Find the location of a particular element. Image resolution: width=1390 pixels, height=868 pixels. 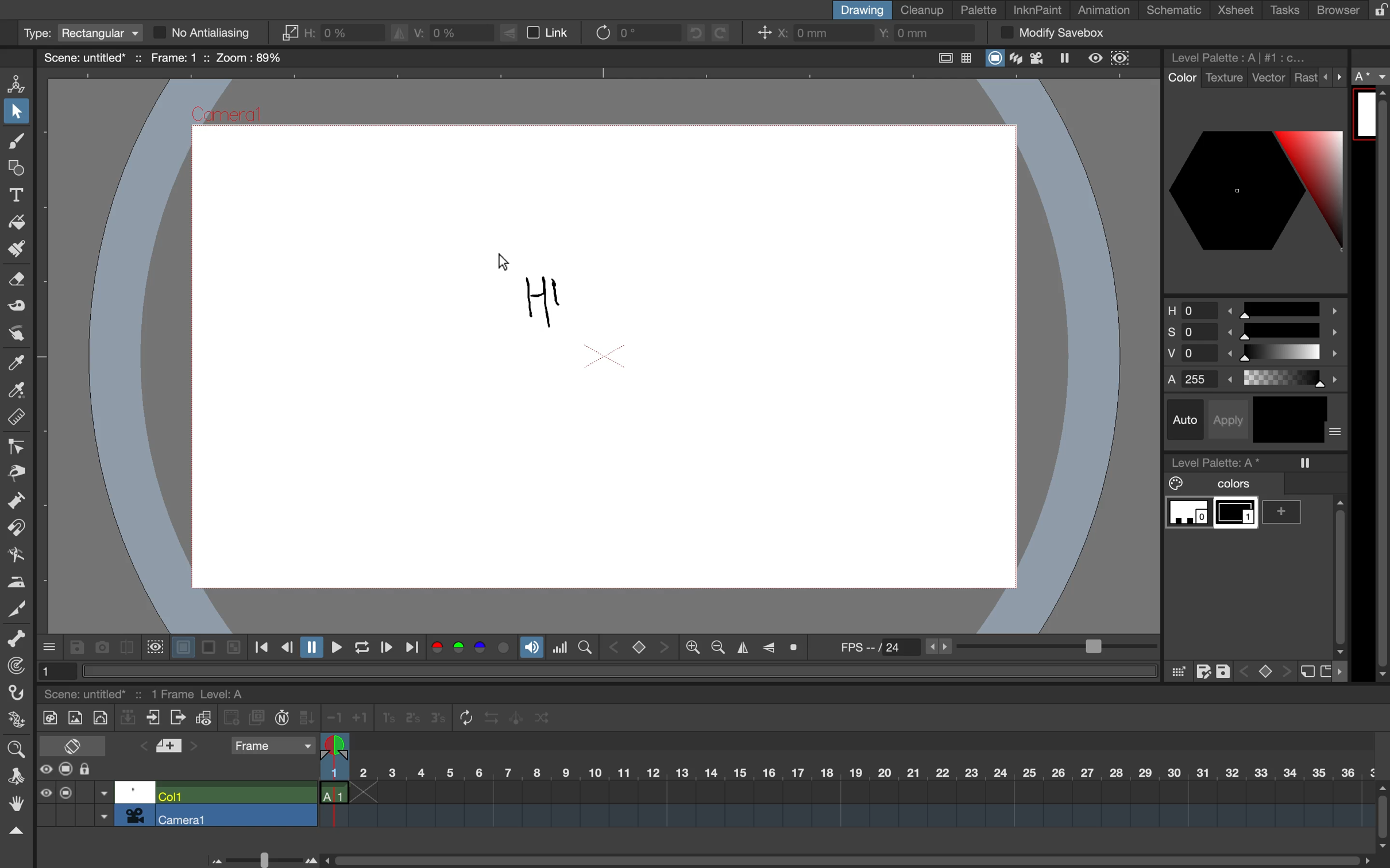

flip horizontally is located at coordinates (740, 648).